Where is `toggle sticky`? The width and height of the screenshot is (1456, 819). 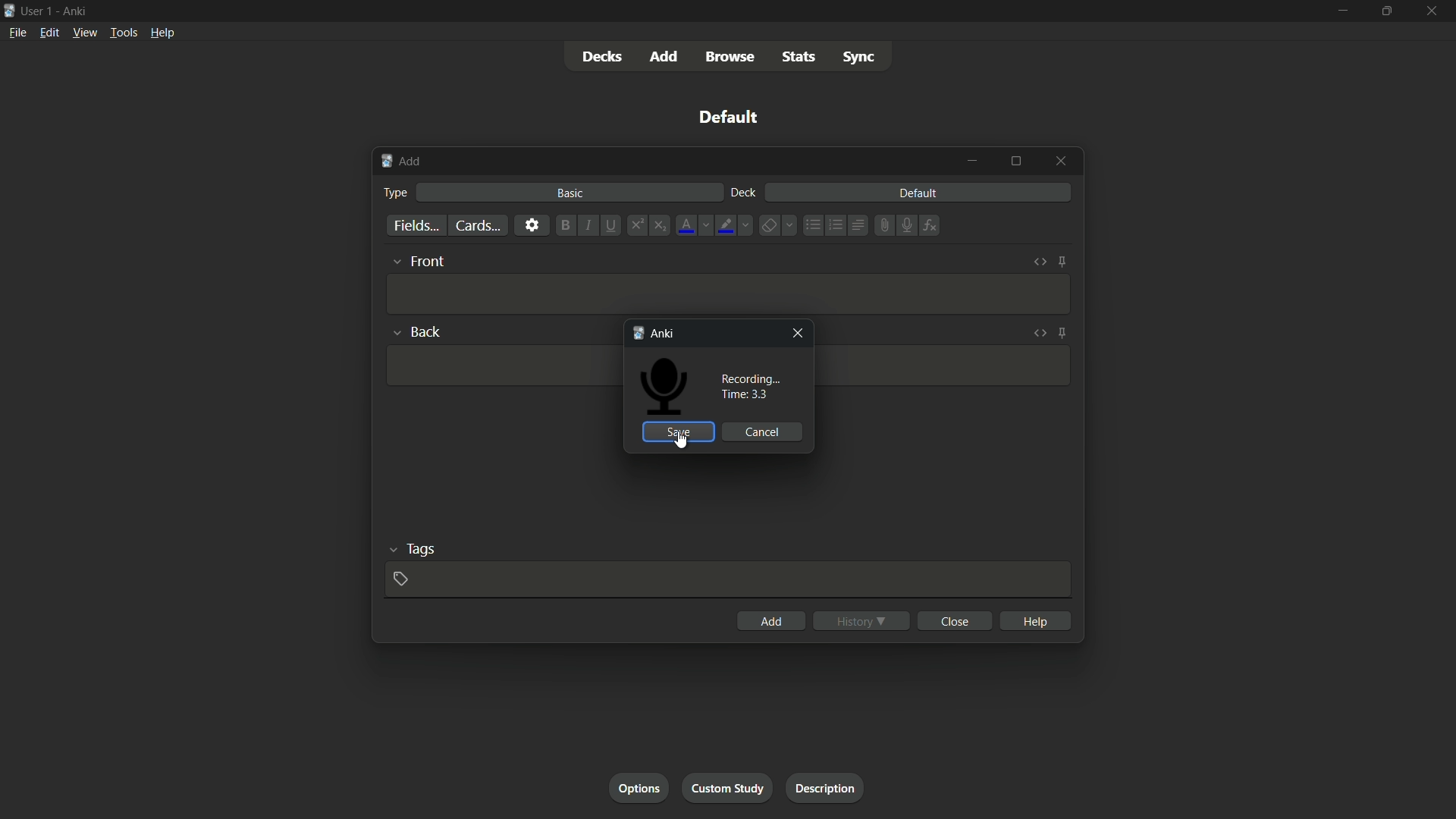
toggle sticky is located at coordinates (1062, 333).